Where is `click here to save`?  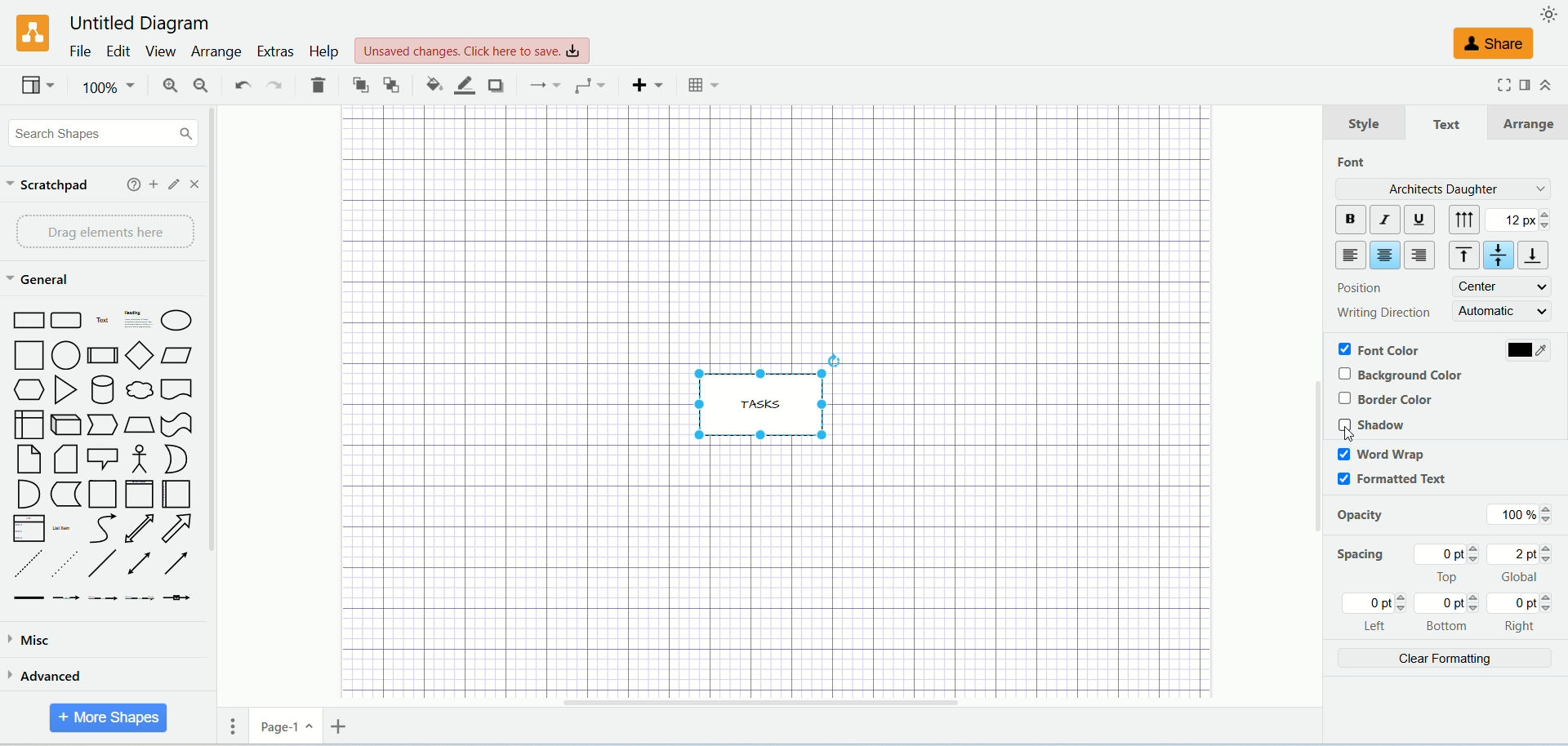
click here to save is located at coordinates (472, 51).